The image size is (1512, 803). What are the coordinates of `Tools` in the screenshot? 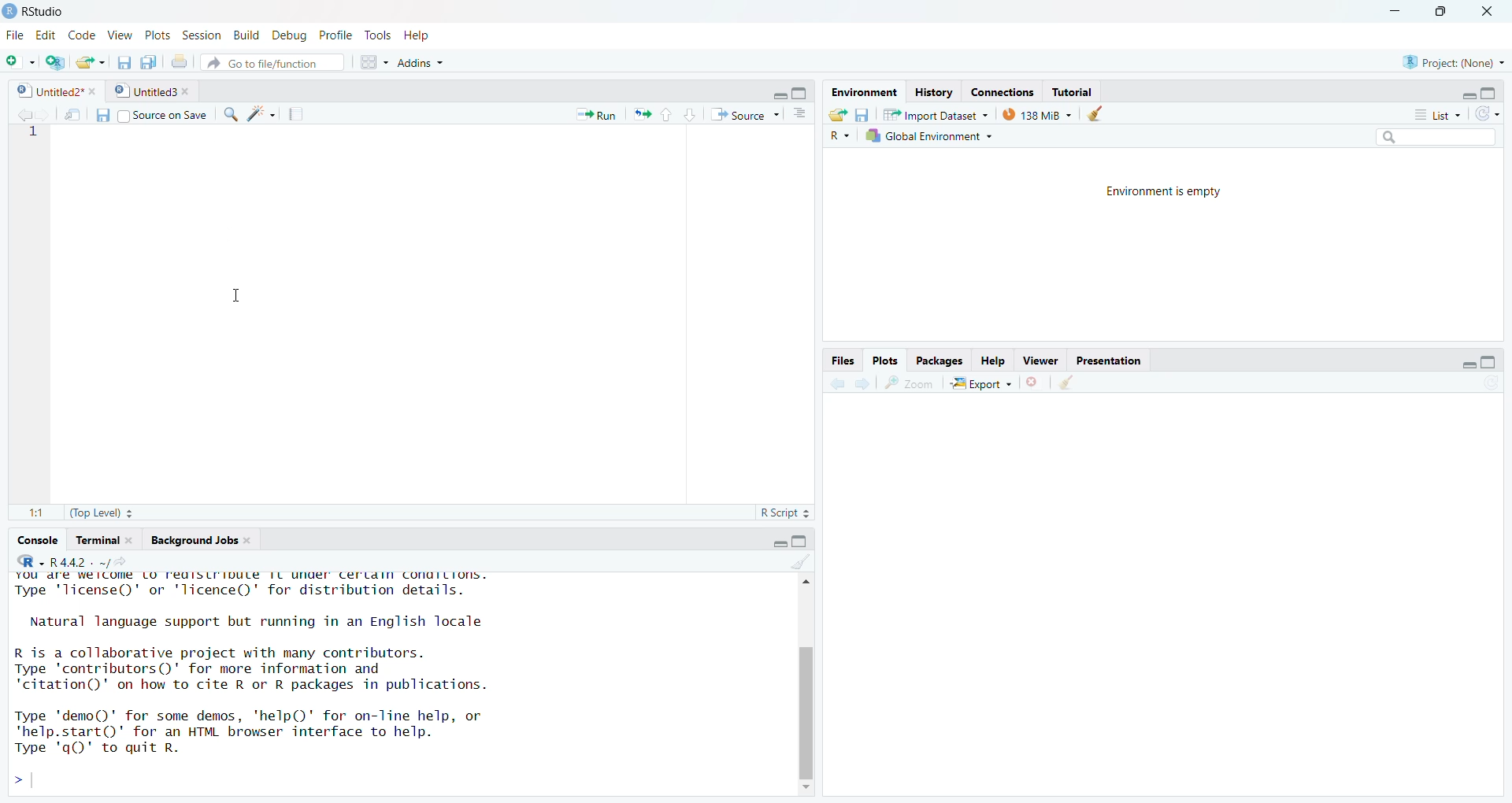 It's located at (375, 33).